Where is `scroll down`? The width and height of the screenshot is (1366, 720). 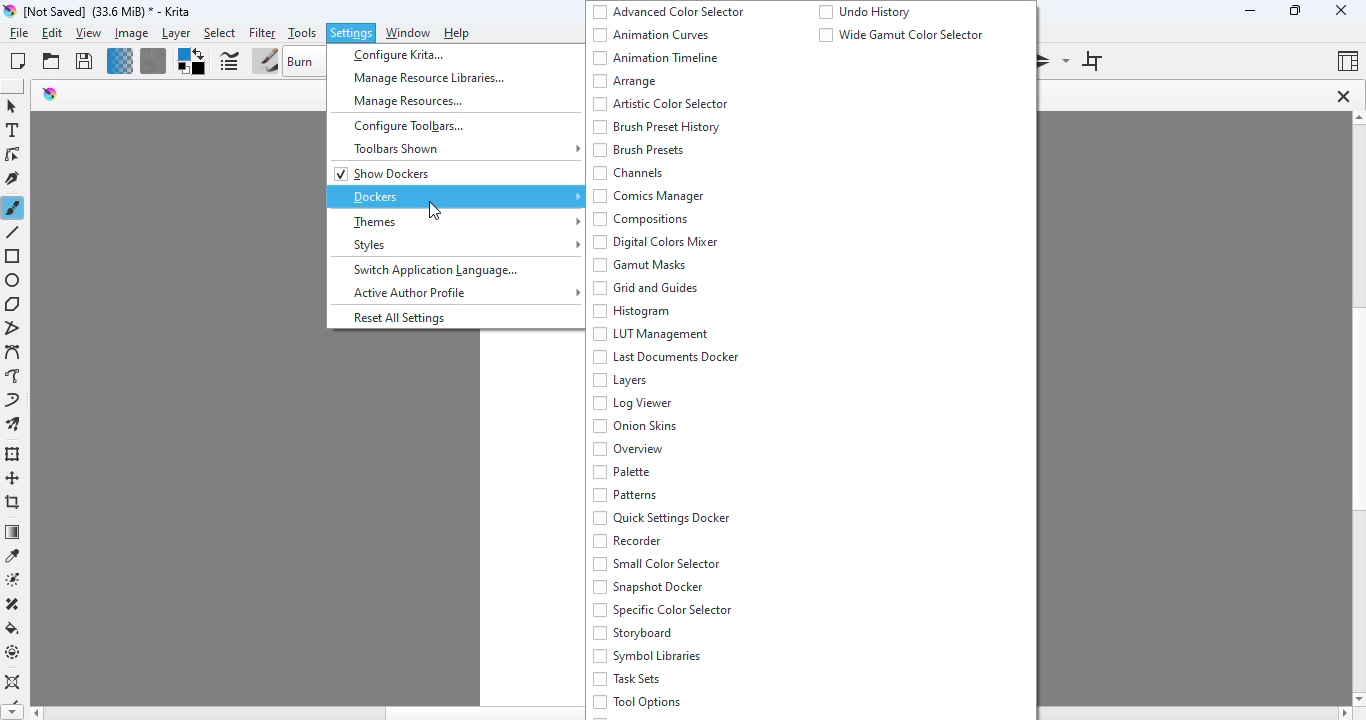 scroll down is located at coordinates (10, 713).